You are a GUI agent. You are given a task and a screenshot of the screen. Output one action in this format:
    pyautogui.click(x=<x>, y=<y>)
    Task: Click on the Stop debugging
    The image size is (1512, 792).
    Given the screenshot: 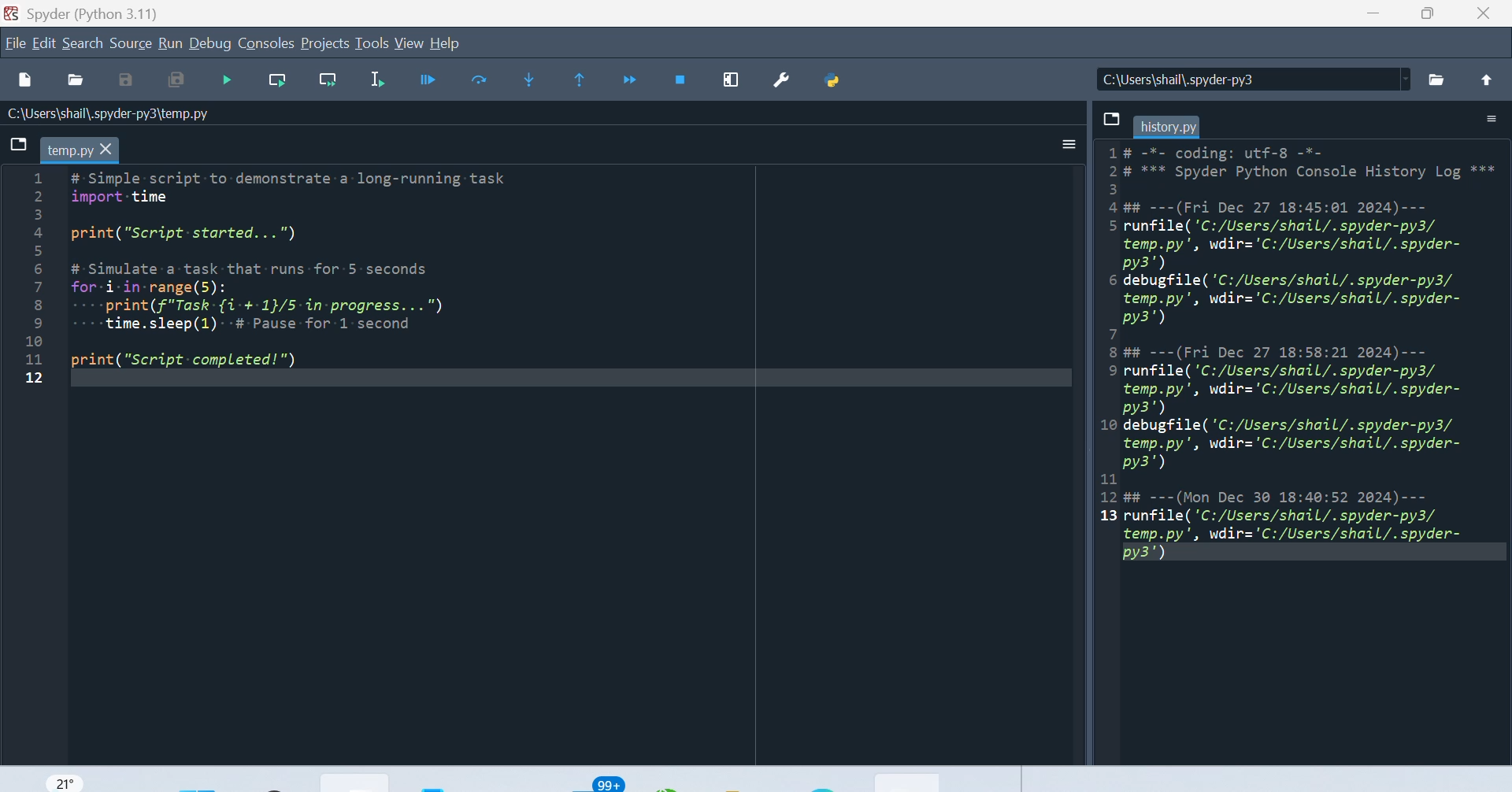 What is the action you would take?
    pyautogui.click(x=684, y=82)
    